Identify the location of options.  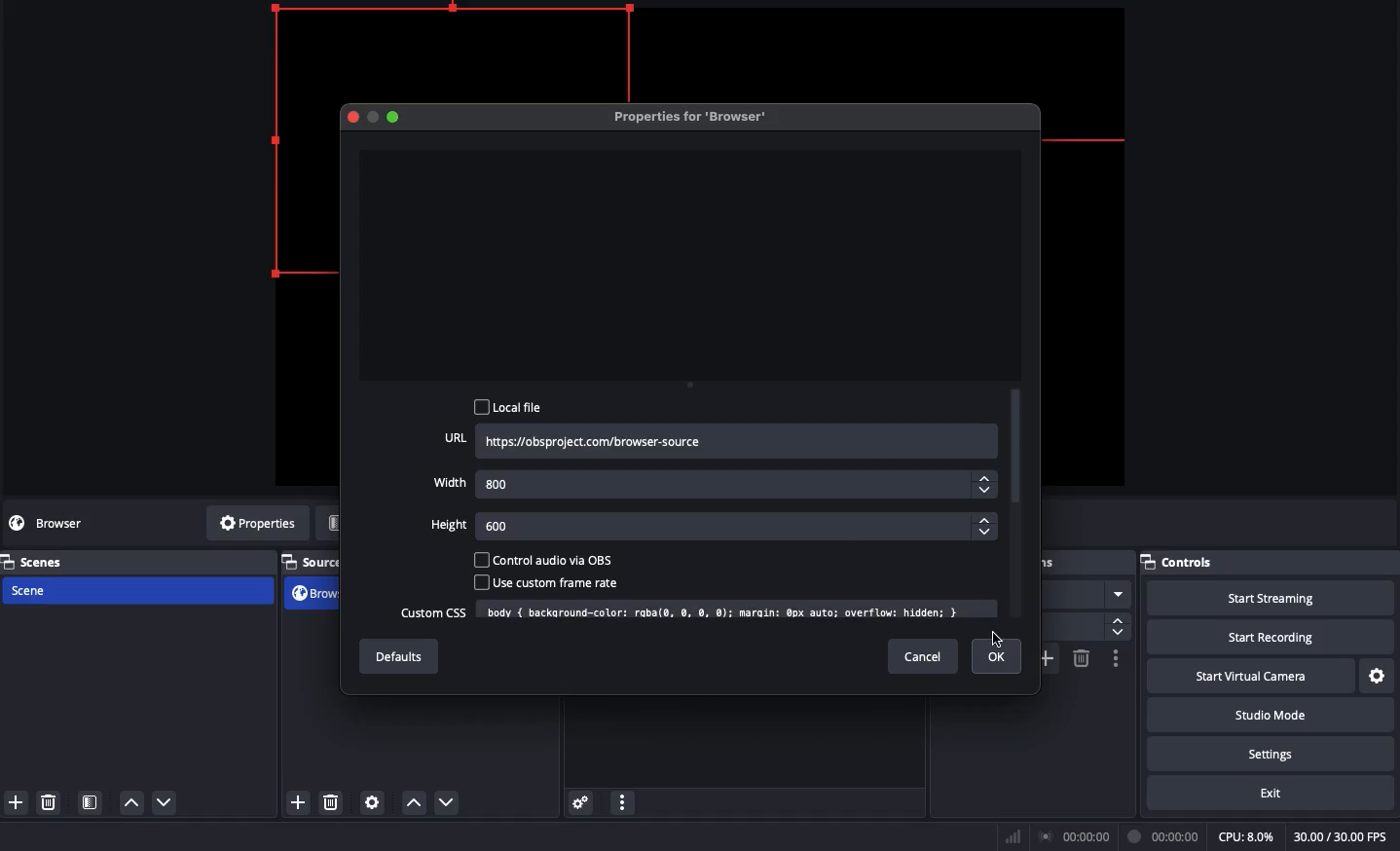
(622, 804).